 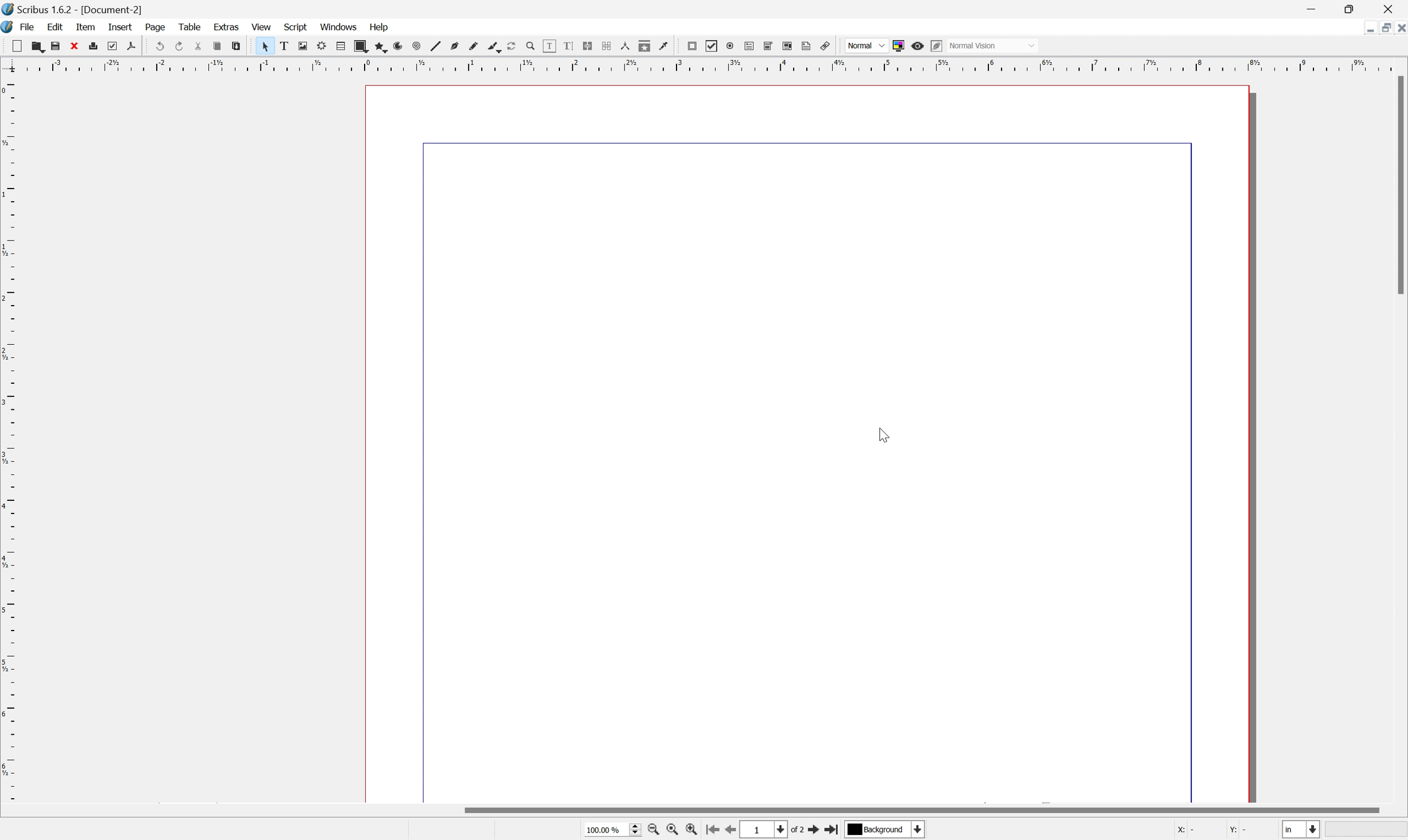 I want to click on Close, so click(x=78, y=46).